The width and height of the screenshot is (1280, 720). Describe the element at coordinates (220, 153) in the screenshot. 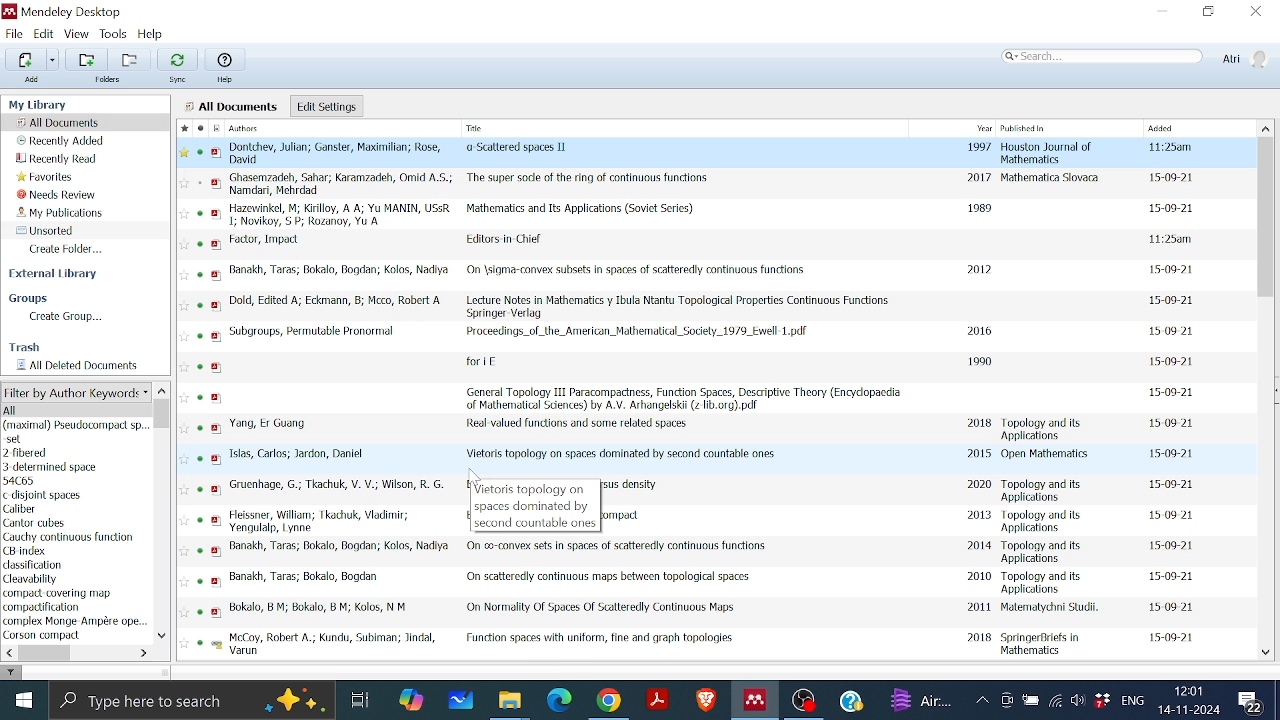

I see `pdf` at that location.